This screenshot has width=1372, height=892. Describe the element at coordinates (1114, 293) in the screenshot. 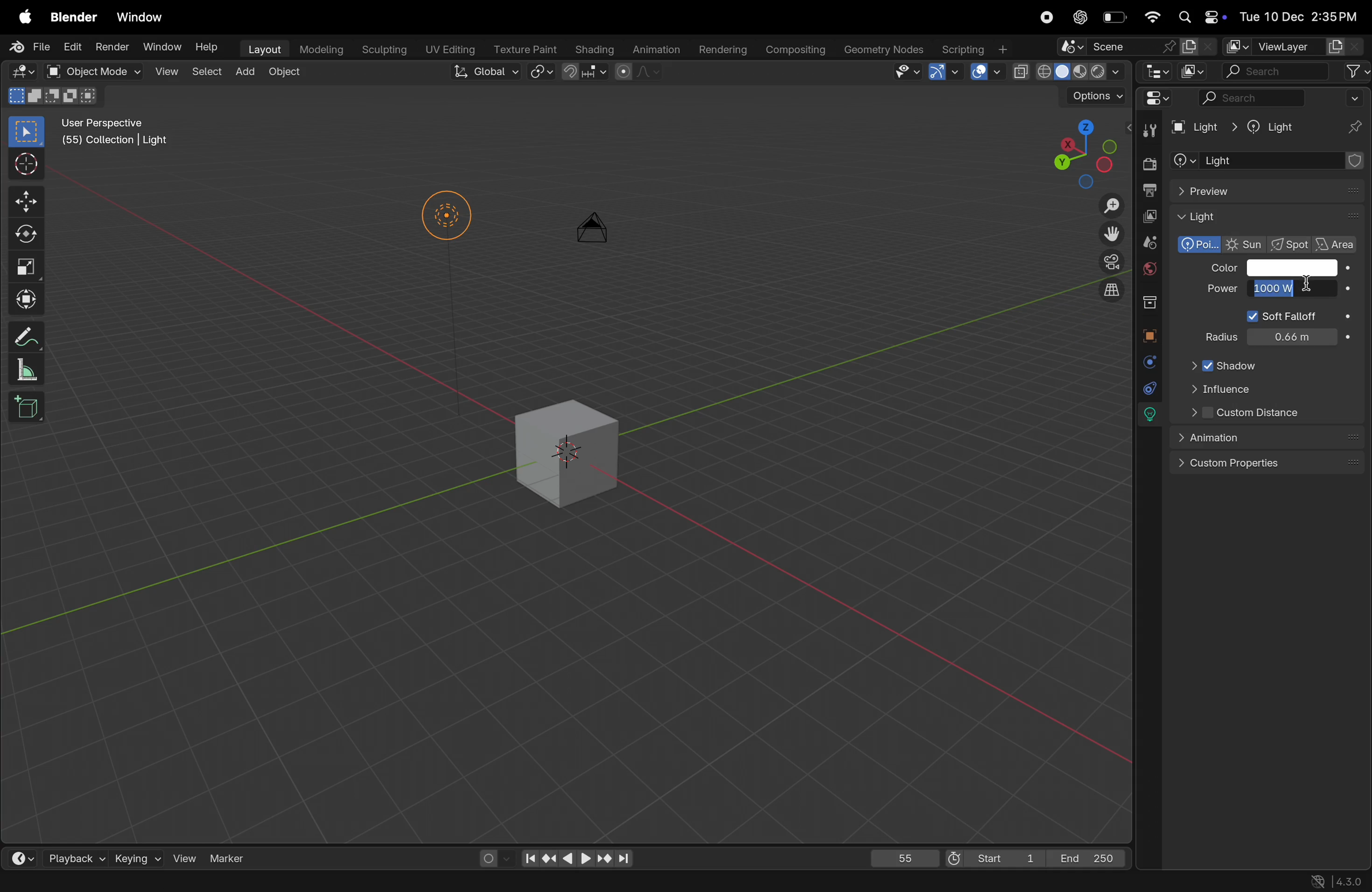

I see `orthographic view` at that location.